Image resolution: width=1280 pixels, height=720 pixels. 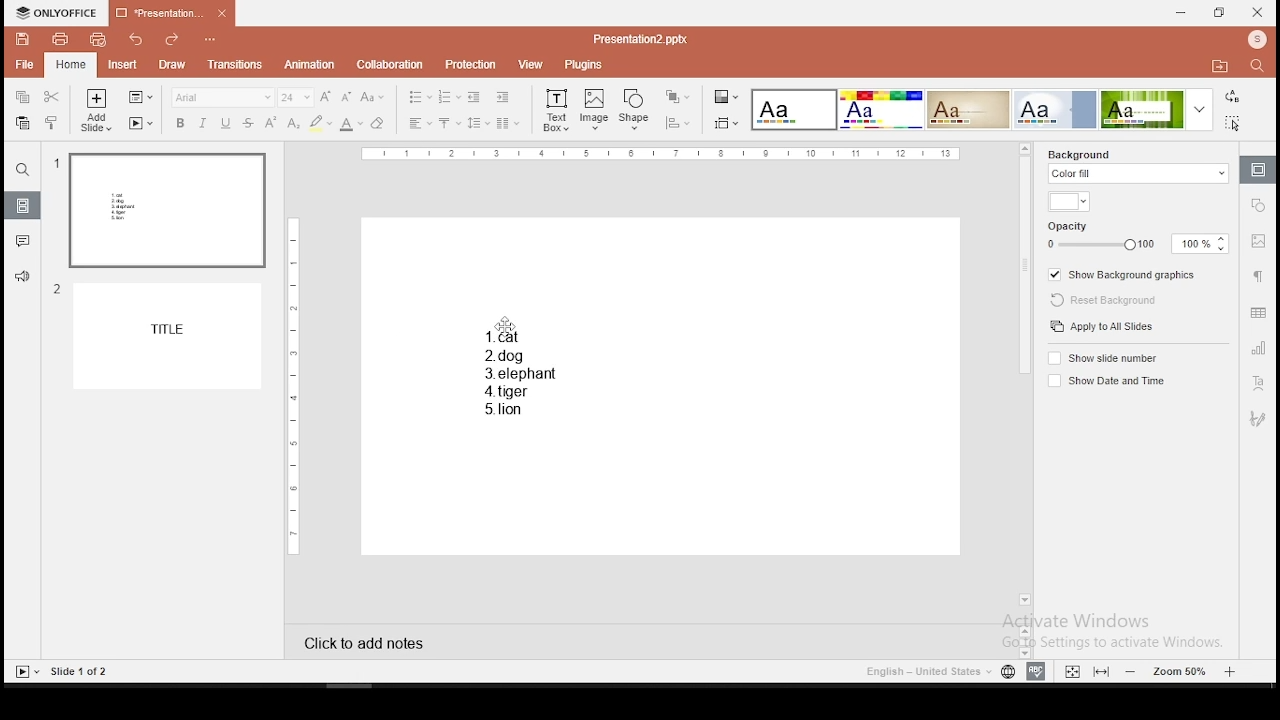 What do you see at coordinates (1106, 298) in the screenshot?
I see `reset background` at bounding box center [1106, 298].